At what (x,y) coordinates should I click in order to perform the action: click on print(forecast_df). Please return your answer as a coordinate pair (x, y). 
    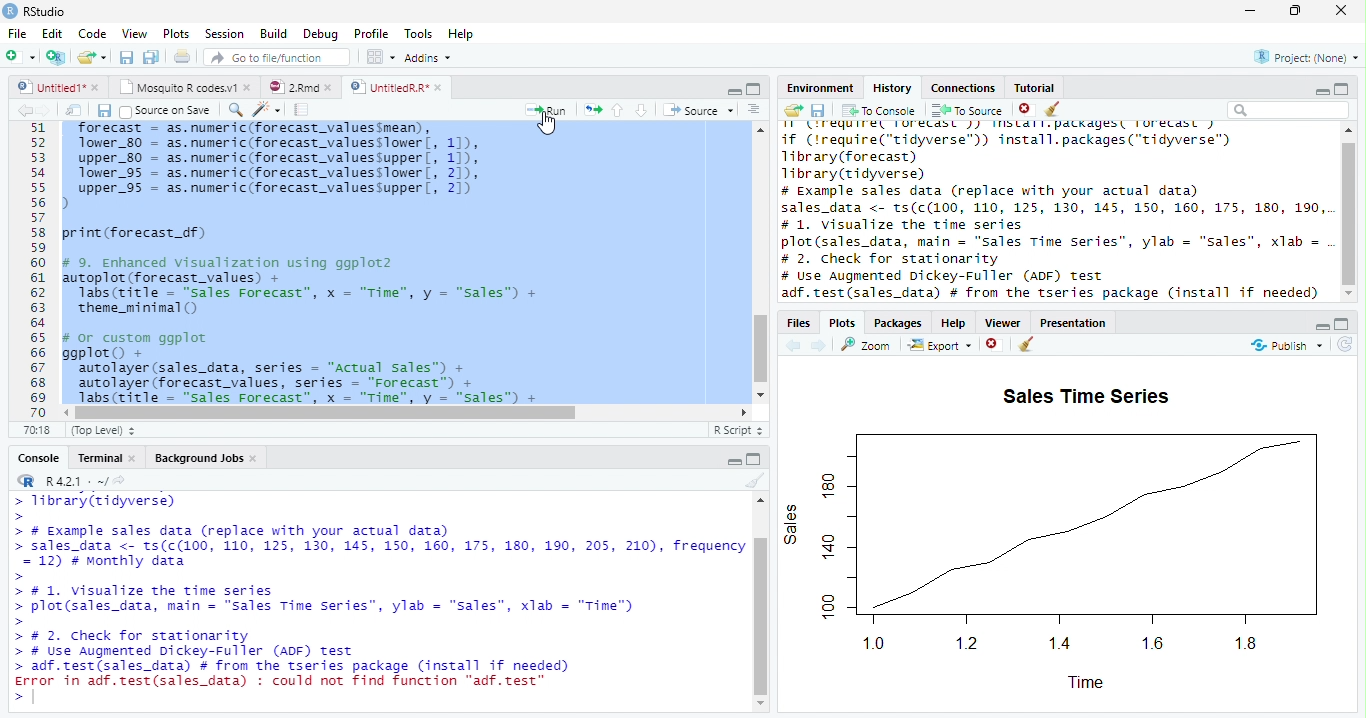
    Looking at the image, I should click on (142, 233).